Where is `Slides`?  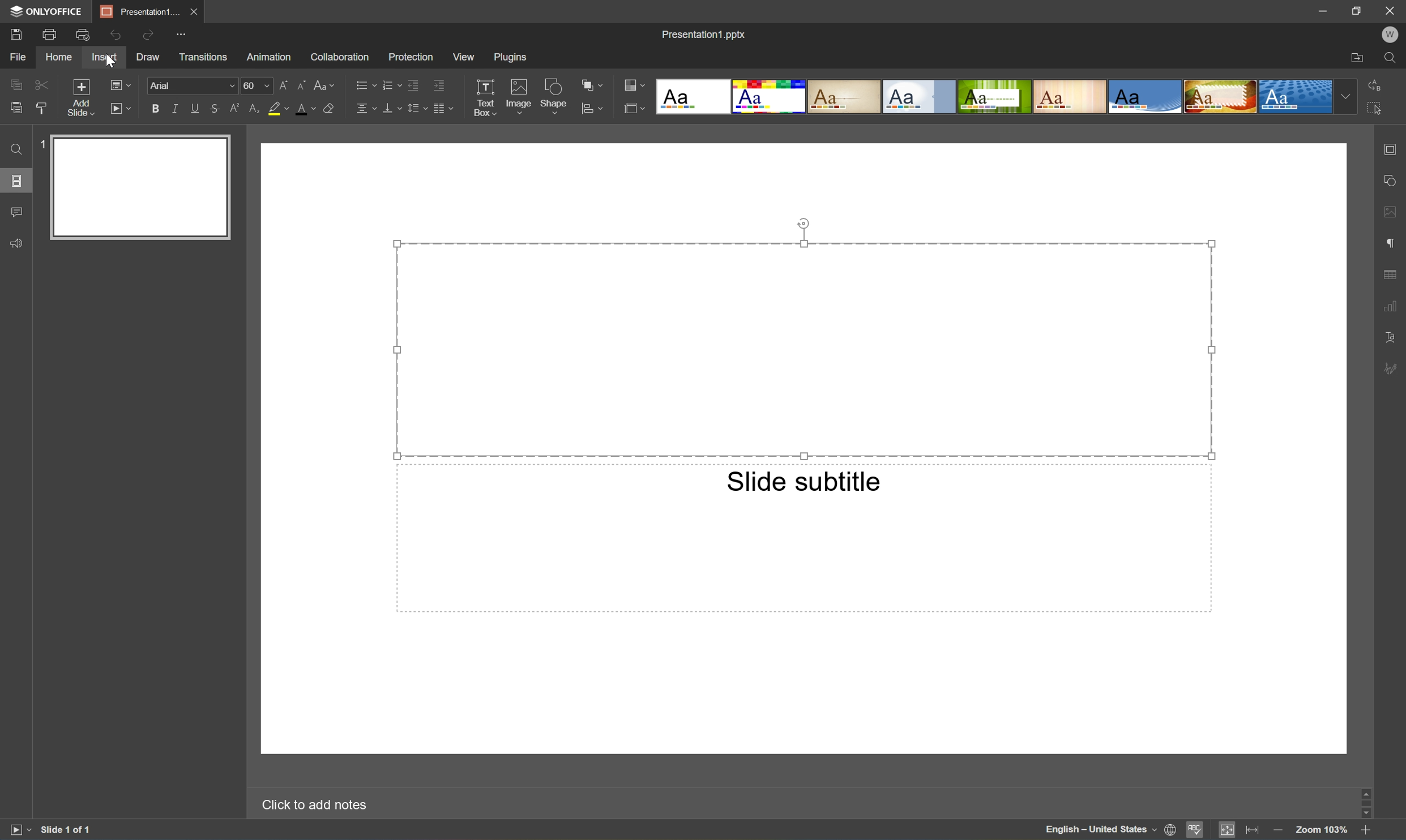
Slides is located at coordinates (17, 182).